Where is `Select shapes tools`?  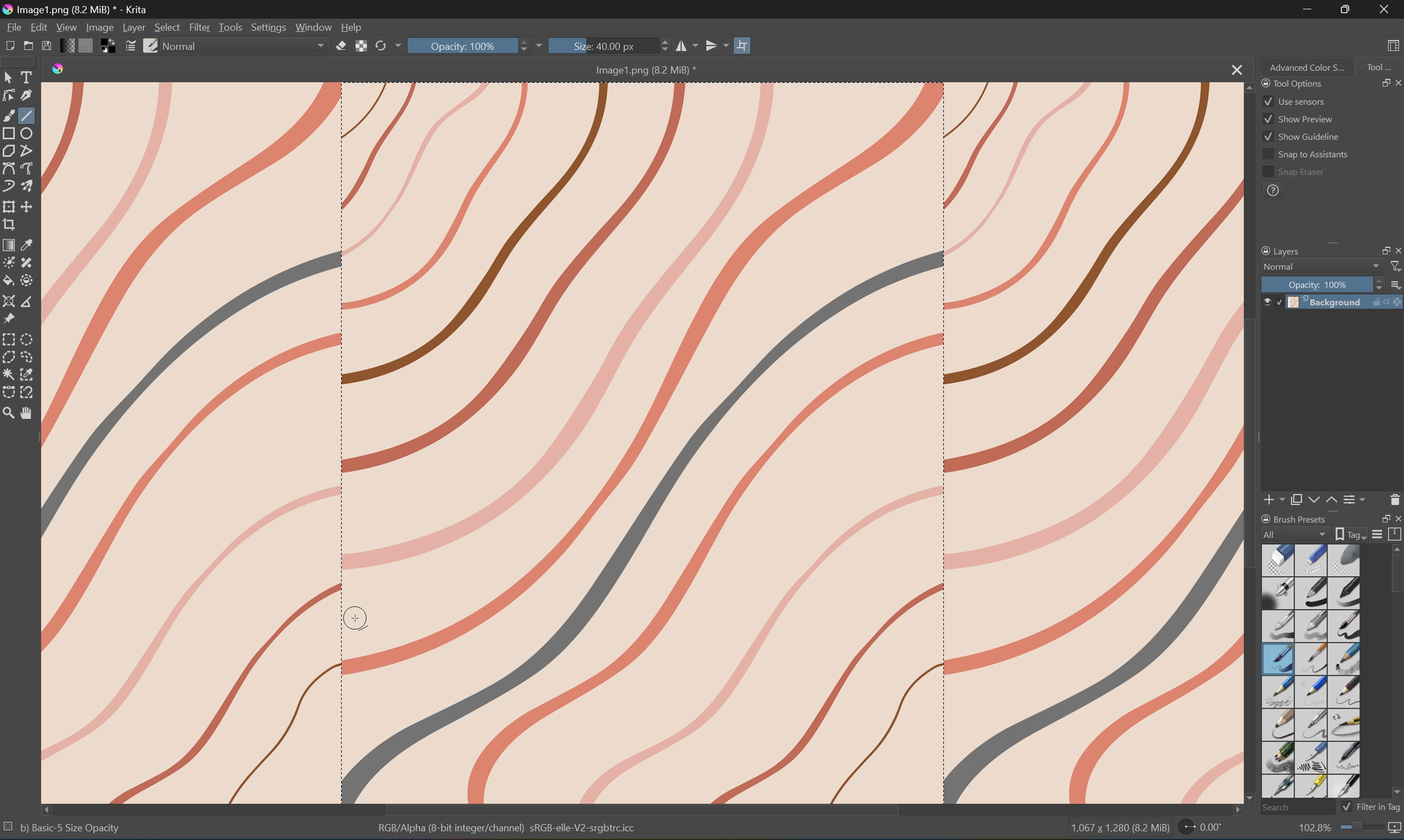
Select shapes tools is located at coordinates (10, 76).